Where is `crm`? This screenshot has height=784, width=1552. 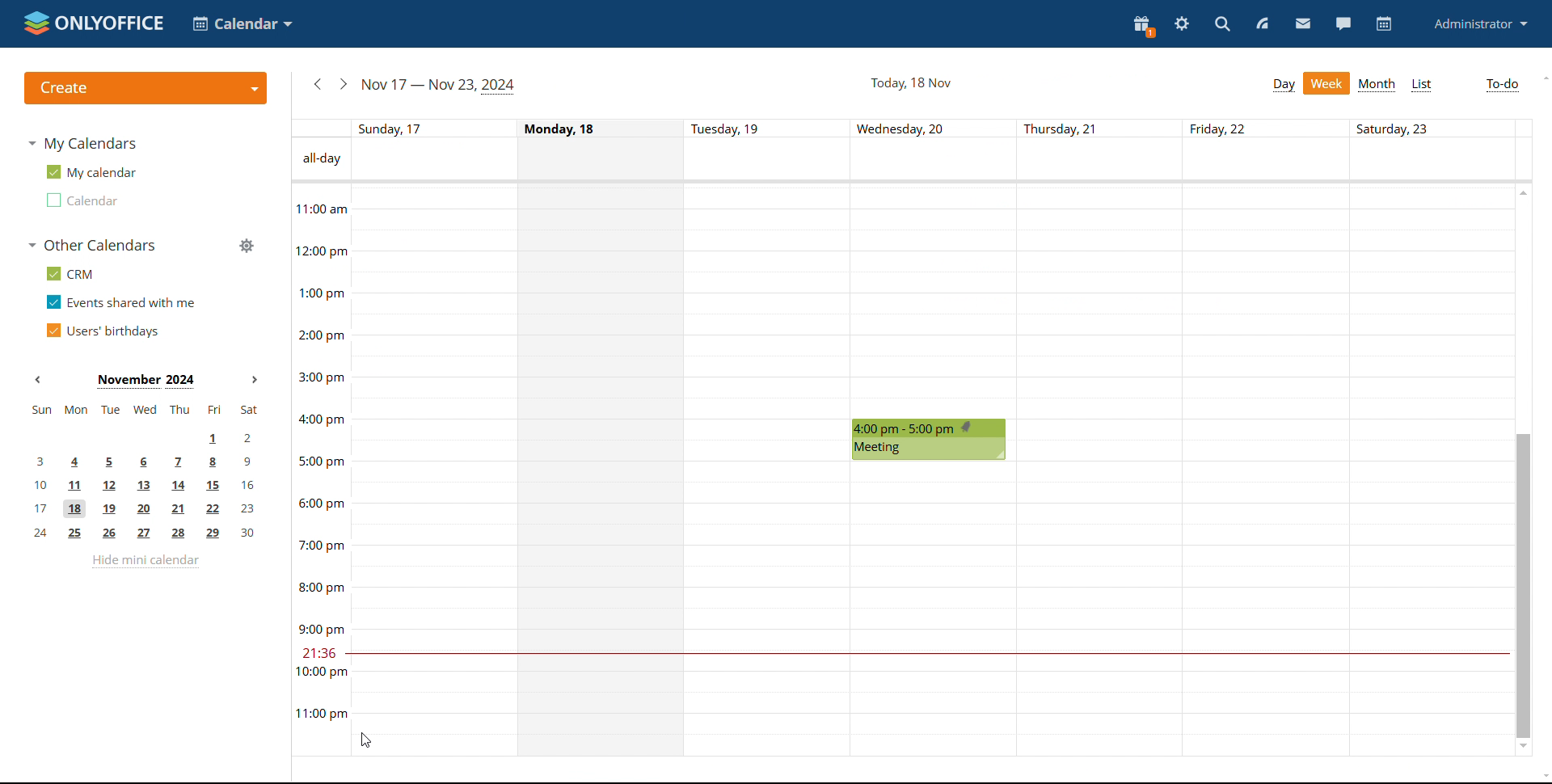 crm is located at coordinates (67, 273).